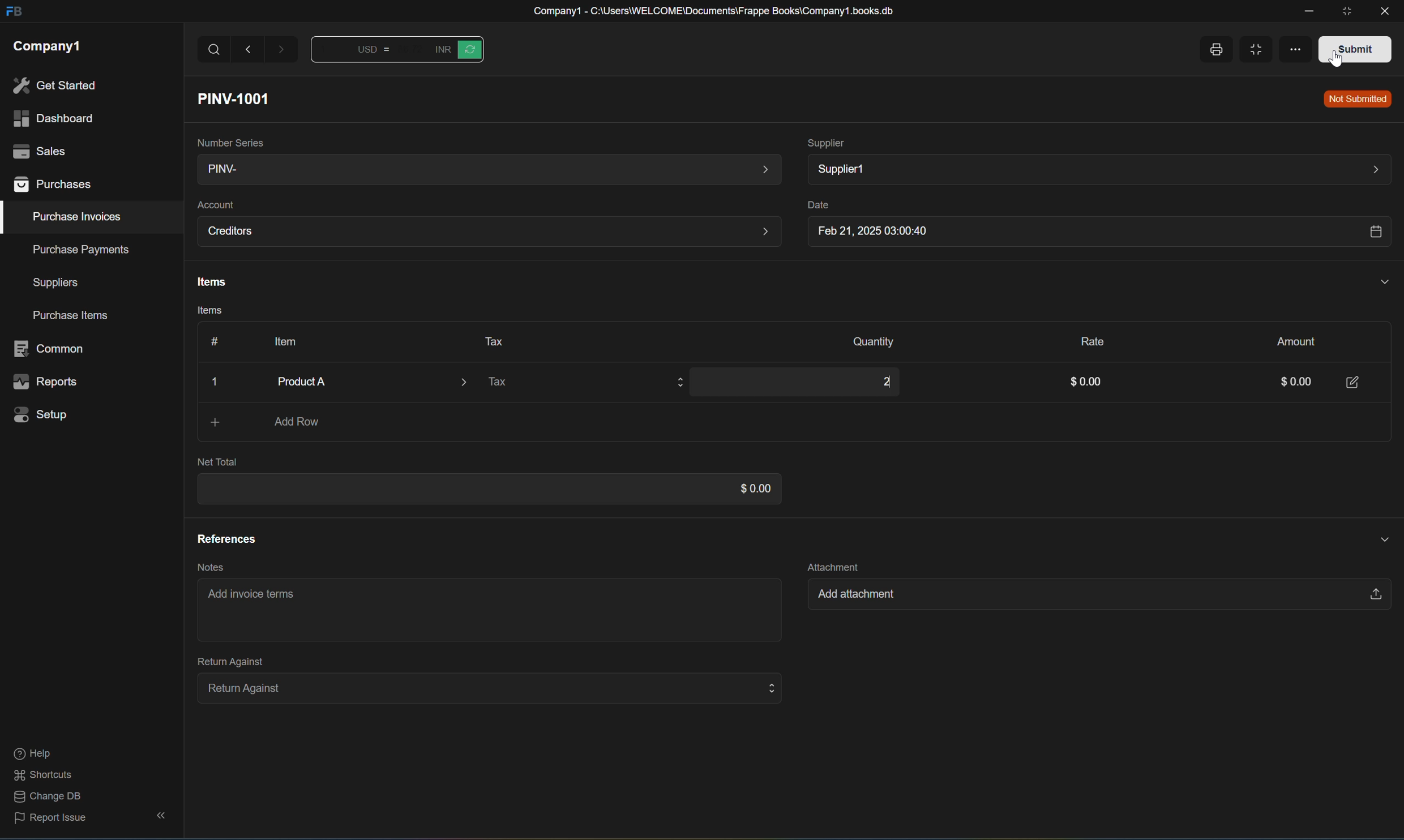 Image resolution: width=1404 pixels, height=840 pixels. I want to click on Number Series, so click(228, 140).